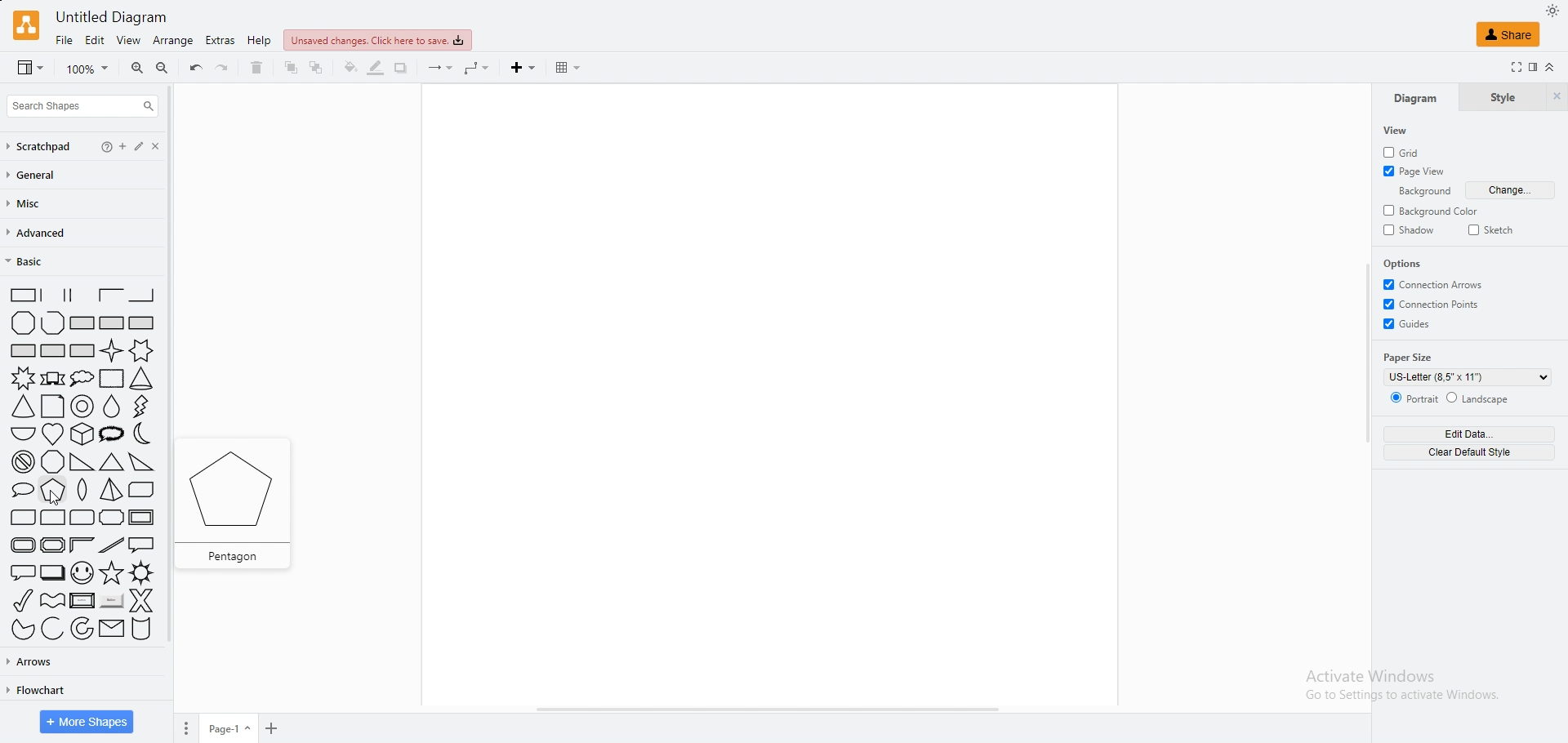 Image resolution: width=1568 pixels, height=743 pixels. What do you see at coordinates (52, 545) in the screenshot?
I see `plaque frame` at bounding box center [52, 545].